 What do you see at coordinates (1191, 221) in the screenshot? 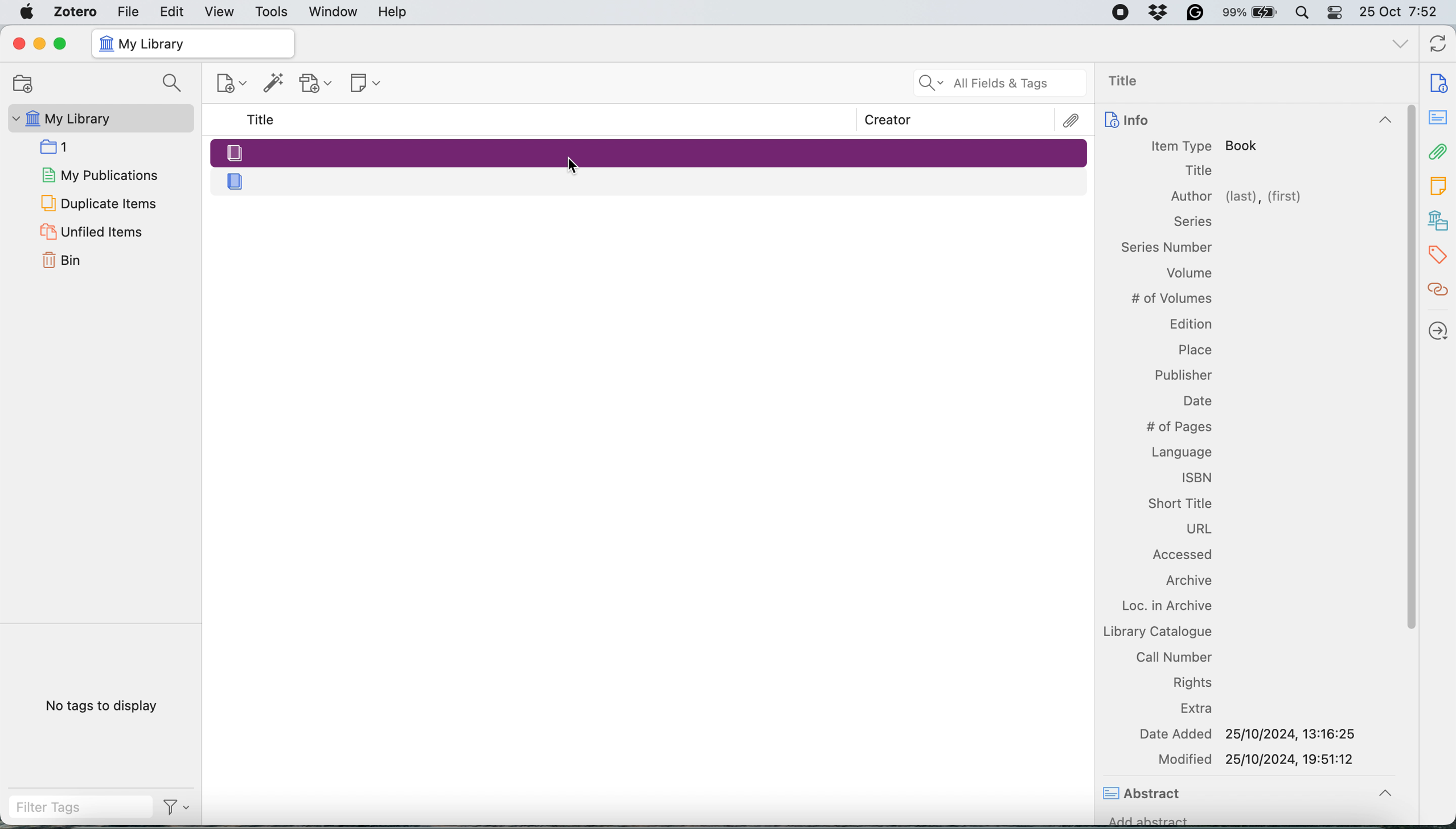
I see `` at bounding box center [1191, 221].